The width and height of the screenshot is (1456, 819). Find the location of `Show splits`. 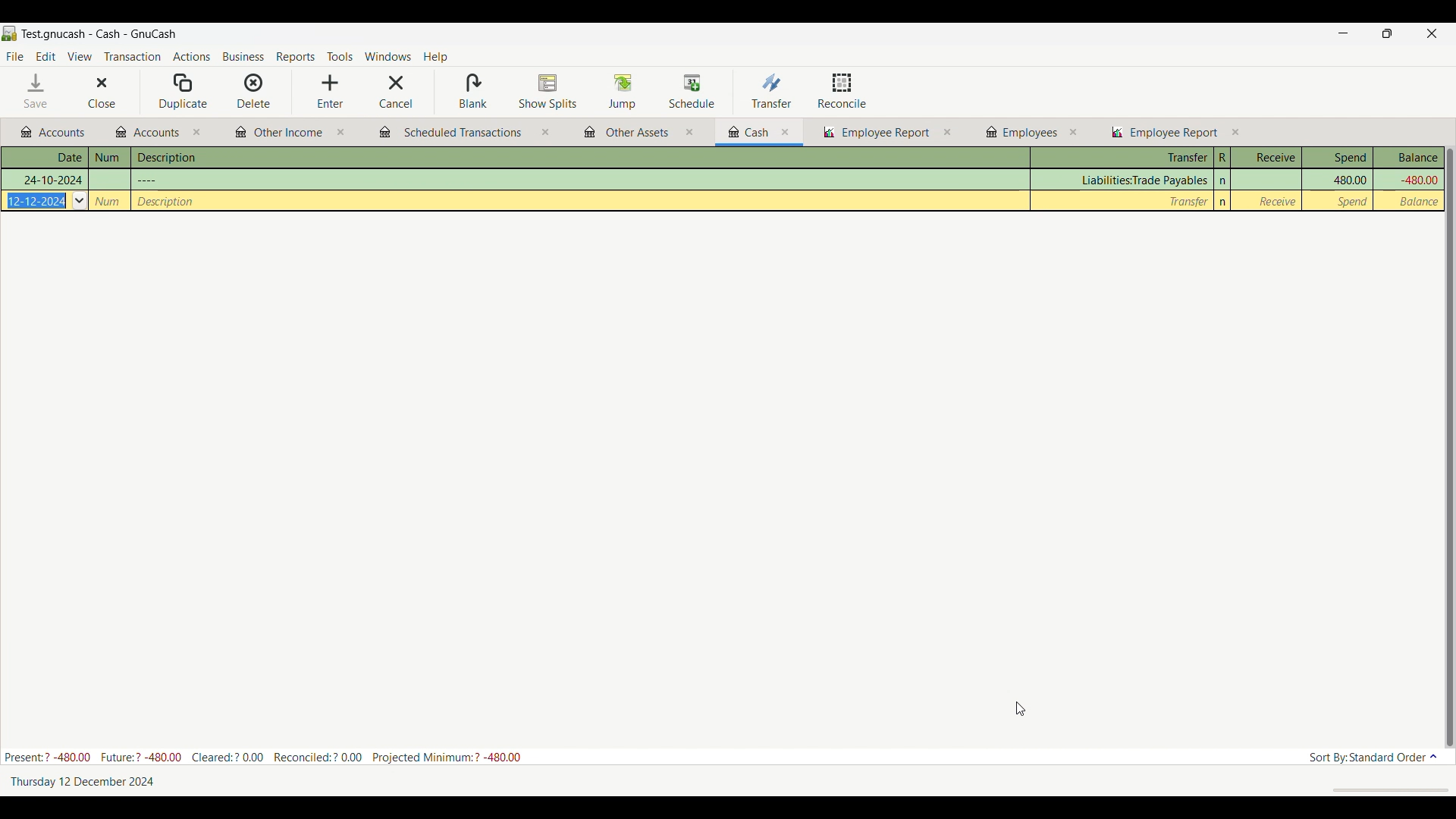

Show splits is located at coordinates (548, 91).